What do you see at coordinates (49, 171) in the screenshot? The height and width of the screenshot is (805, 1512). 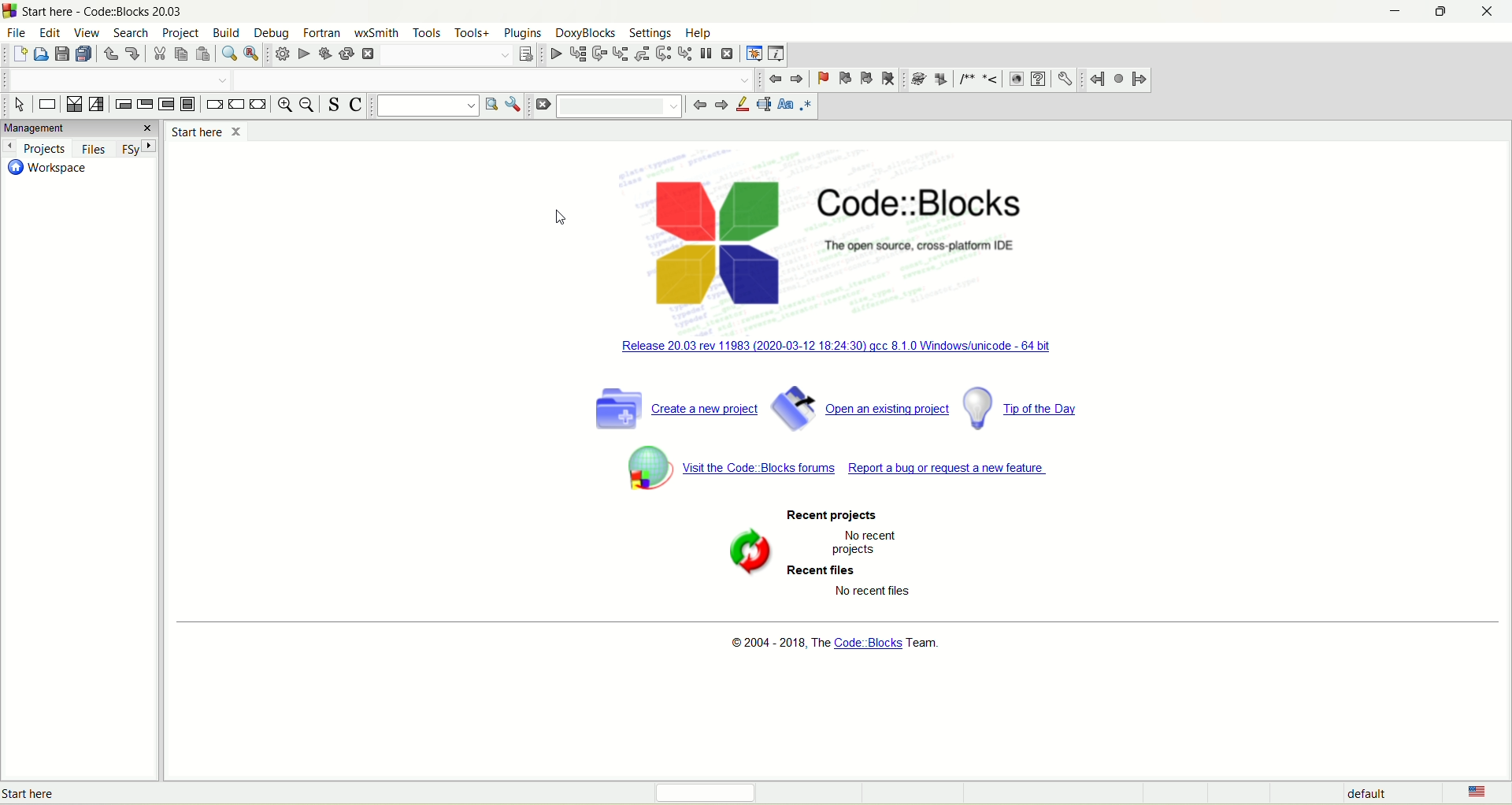 I see `workspace` at bounding box center [49, 171].